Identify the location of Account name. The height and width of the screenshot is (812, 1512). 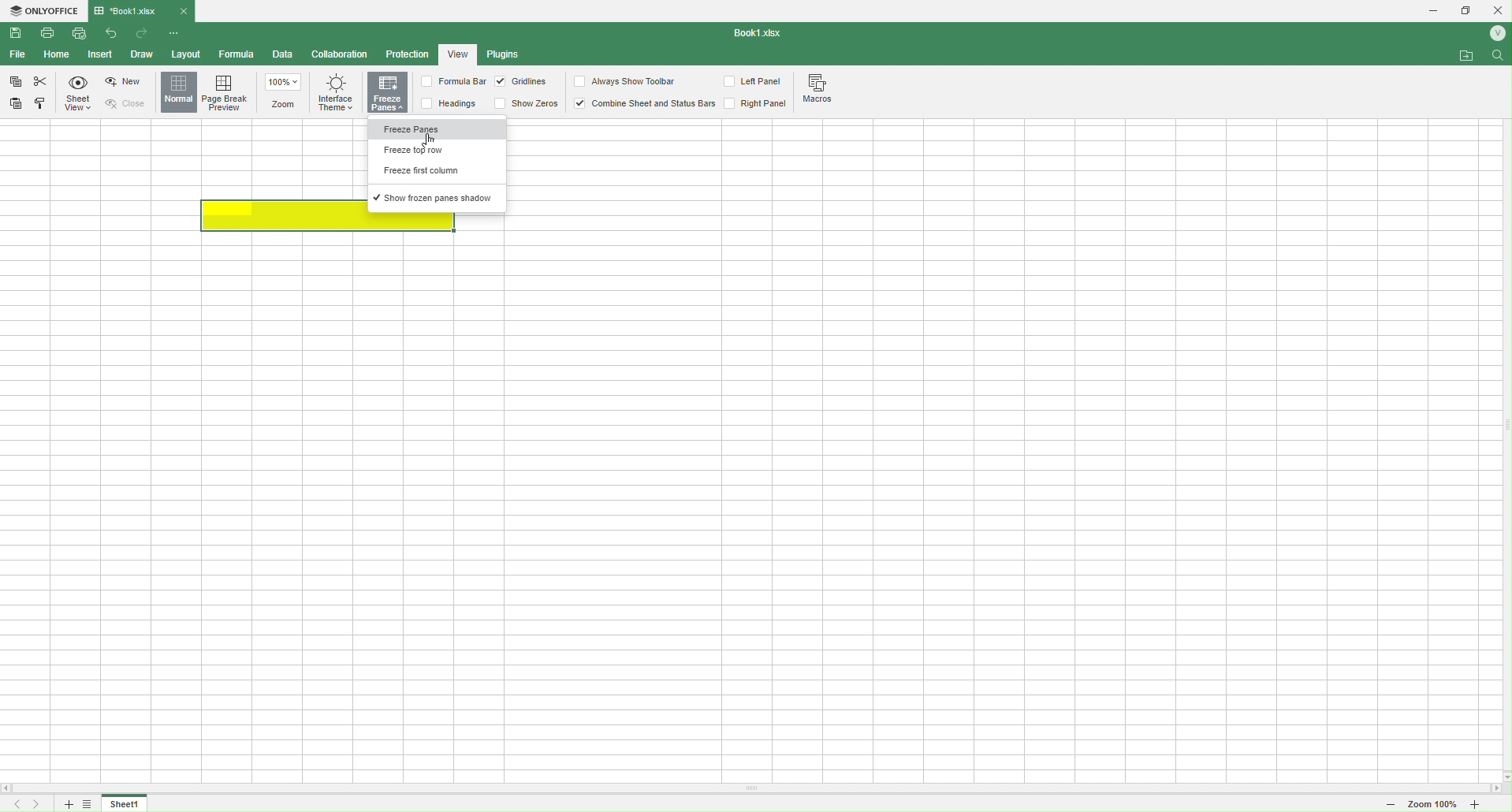
(1494, 33).